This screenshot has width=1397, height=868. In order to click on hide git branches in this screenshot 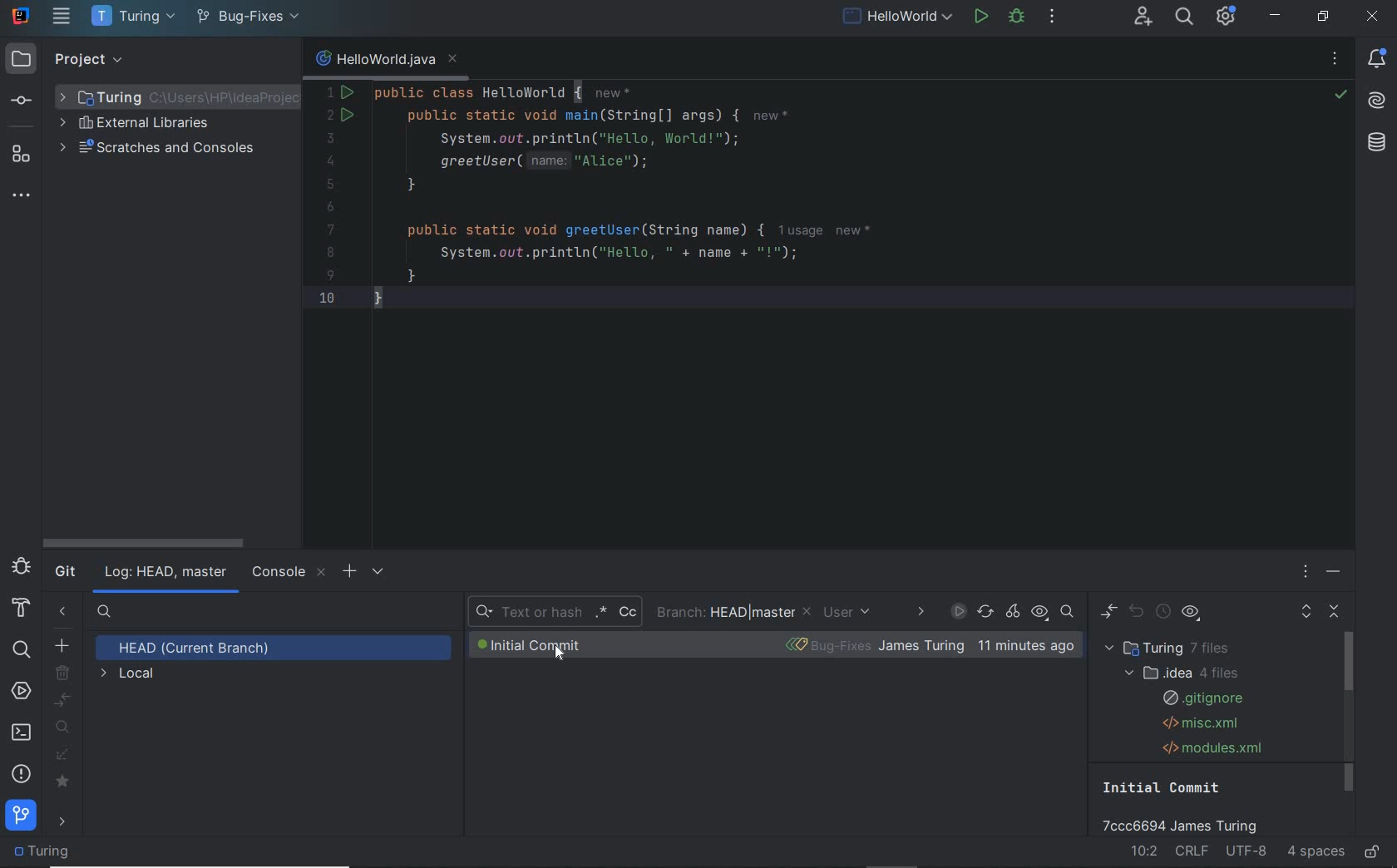, I will do `click(63, 614)`.